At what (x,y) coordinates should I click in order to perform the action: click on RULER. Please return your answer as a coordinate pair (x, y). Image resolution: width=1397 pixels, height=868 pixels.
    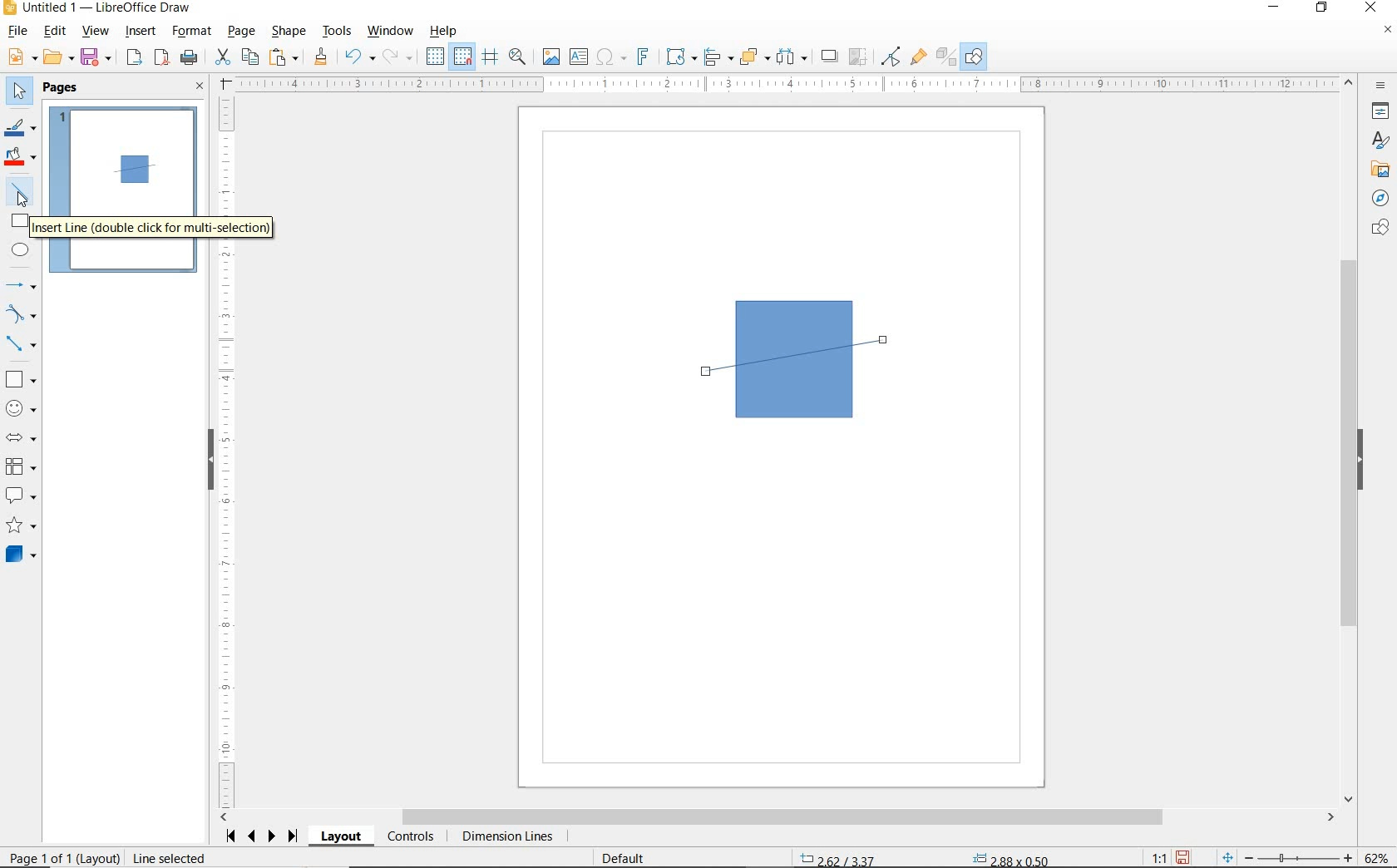
    Looking at the image, I should click on (227, 452).